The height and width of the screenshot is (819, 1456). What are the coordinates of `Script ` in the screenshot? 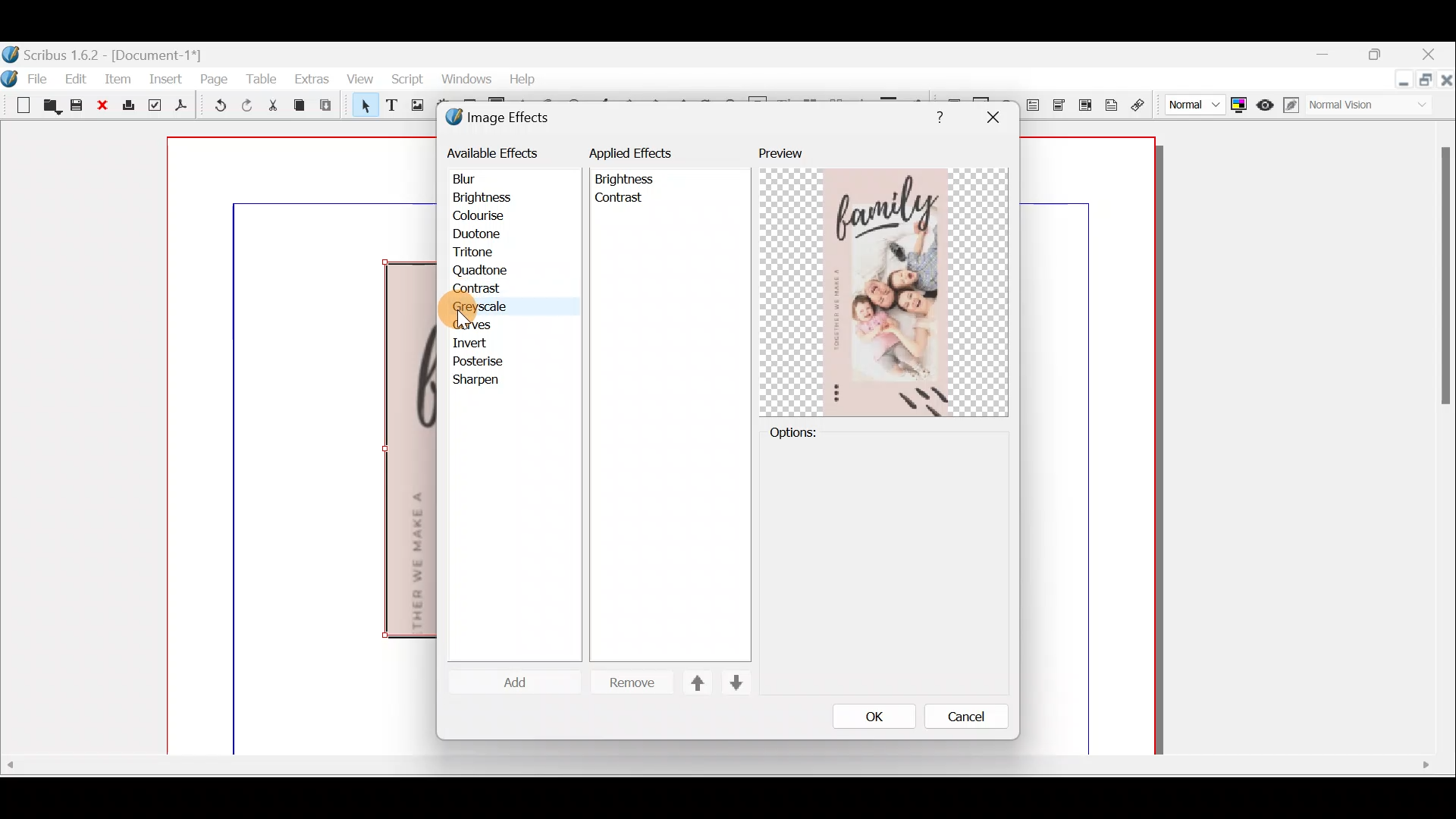 It's located at (412, 80).